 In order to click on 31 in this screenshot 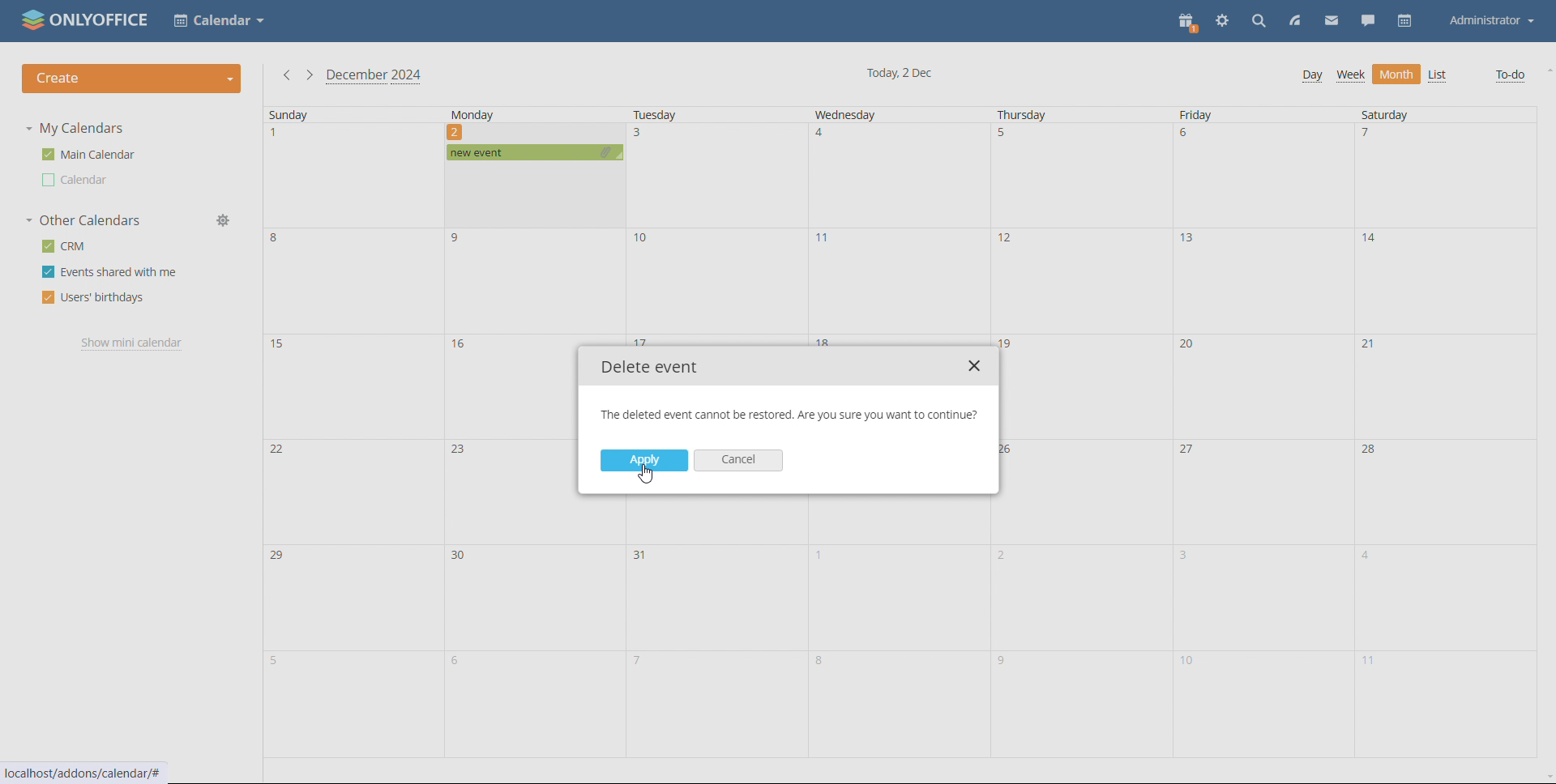, I will do `click(643, 556)`.